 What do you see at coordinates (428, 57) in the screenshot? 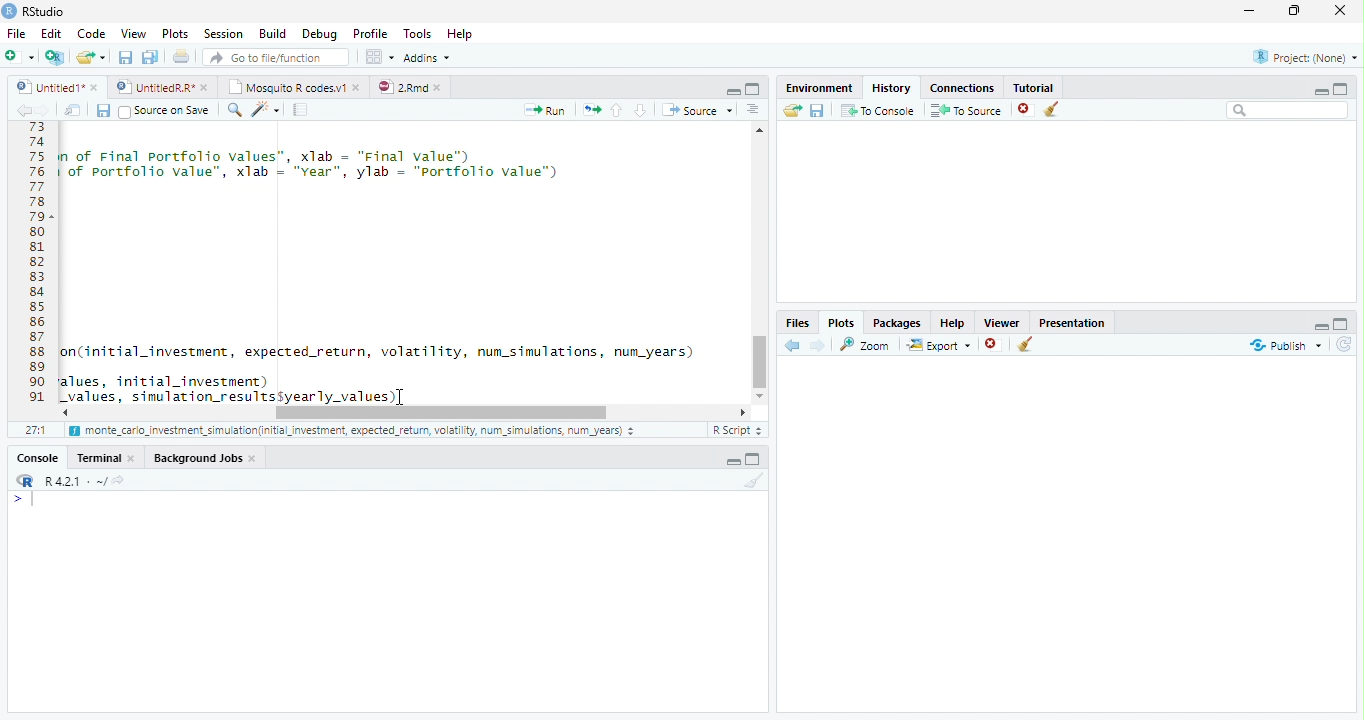
I see `Addins` at bounding box center [428, 57].